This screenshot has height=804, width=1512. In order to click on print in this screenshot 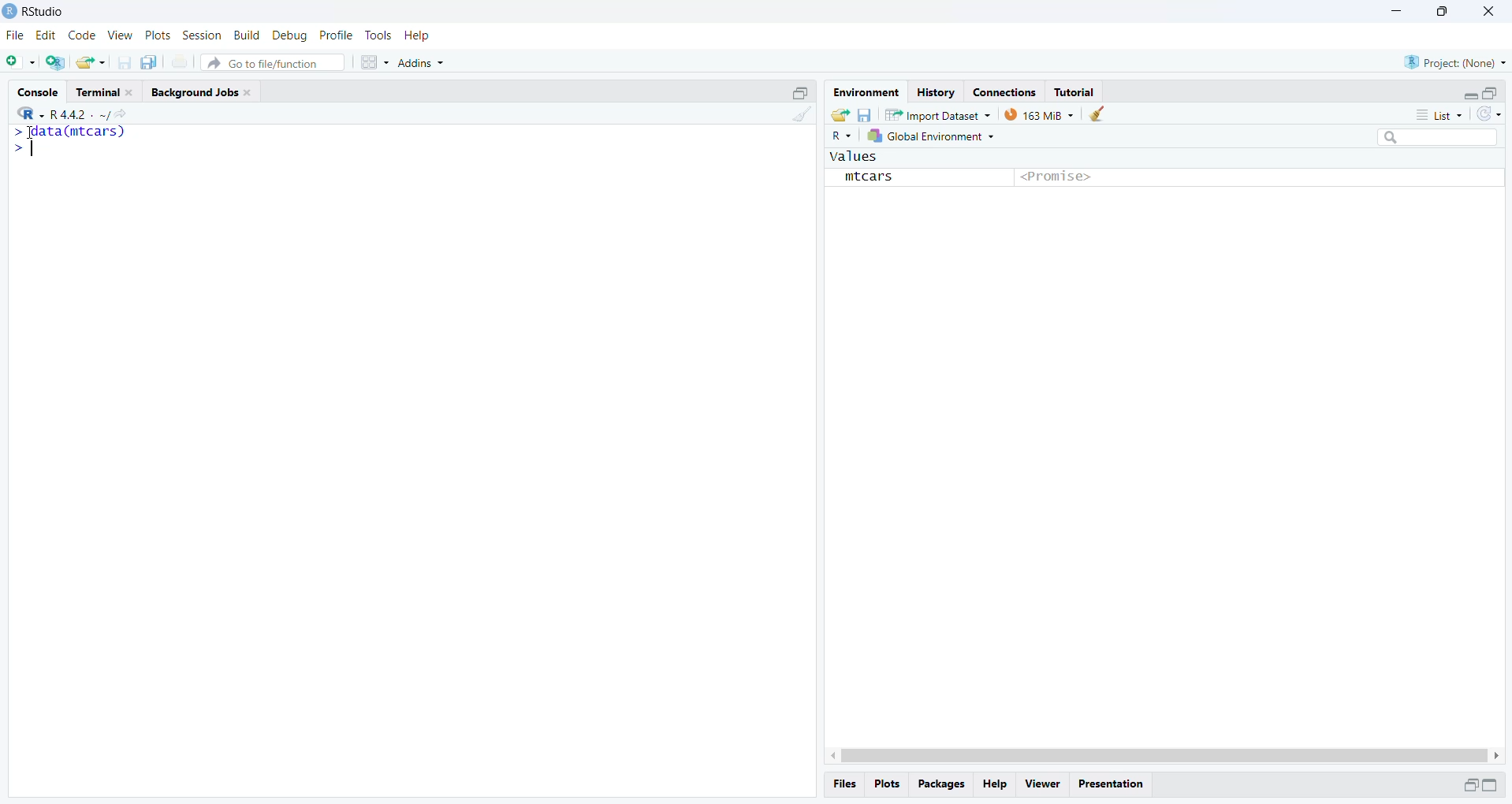, I will do `click(180, 62)`.